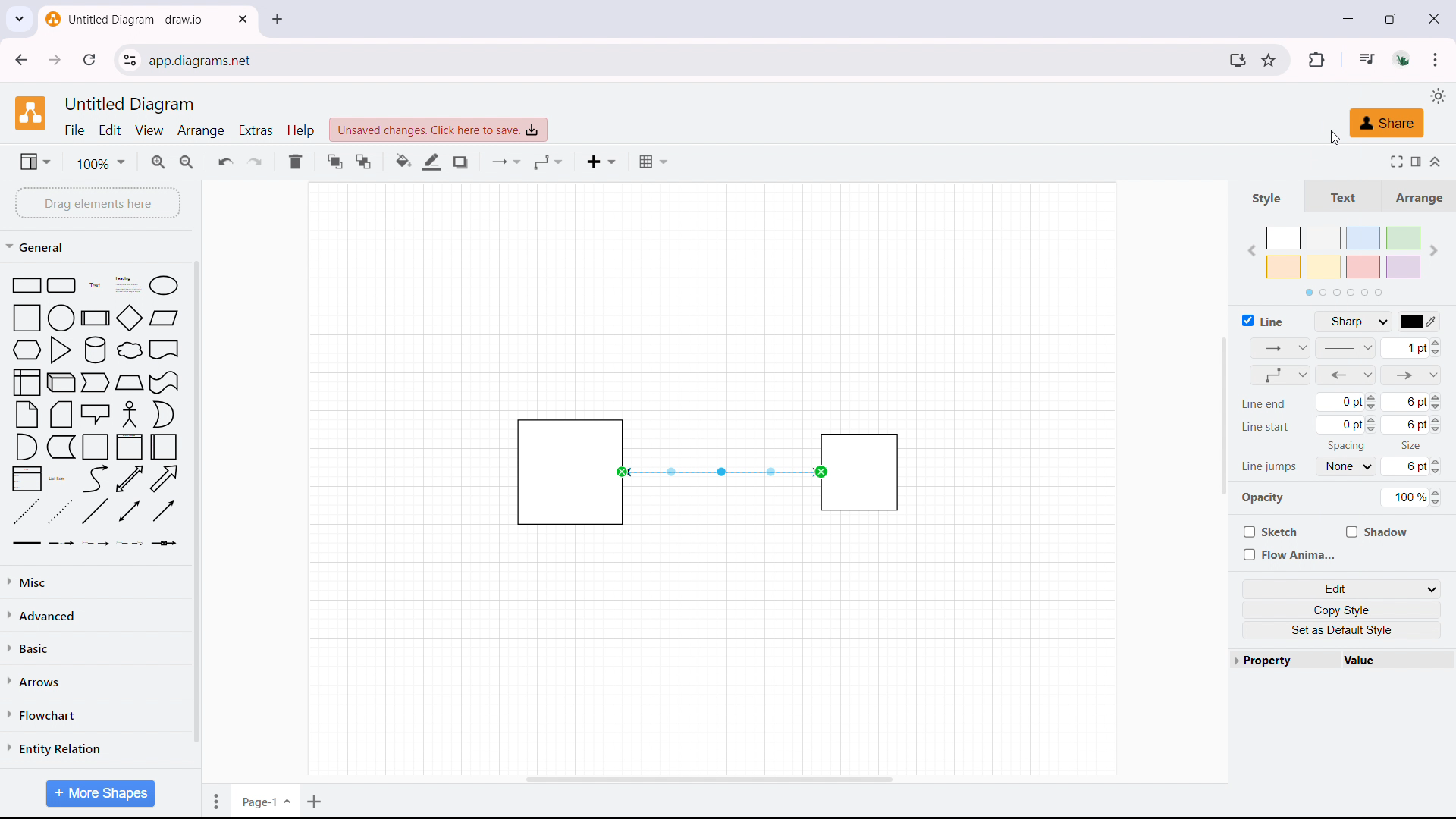  What do you see at coordinates (1348, 18) in the screenshot?
I see `minimize` at bounding box center [1348, 18].